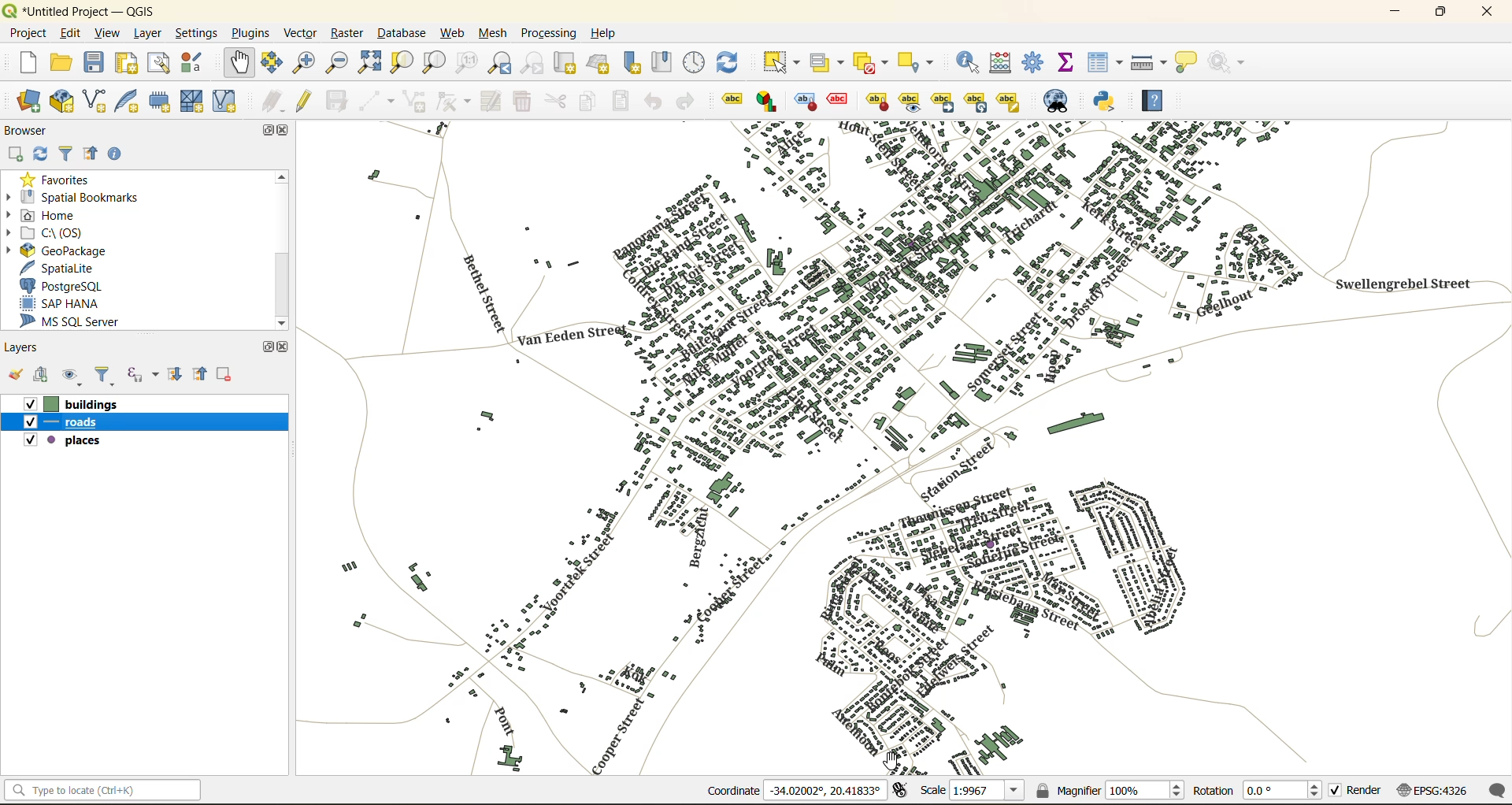  What do you see at coordinates (59, 269) in the screenshot?
I see `spatialite` at bounding box center [59, 269].